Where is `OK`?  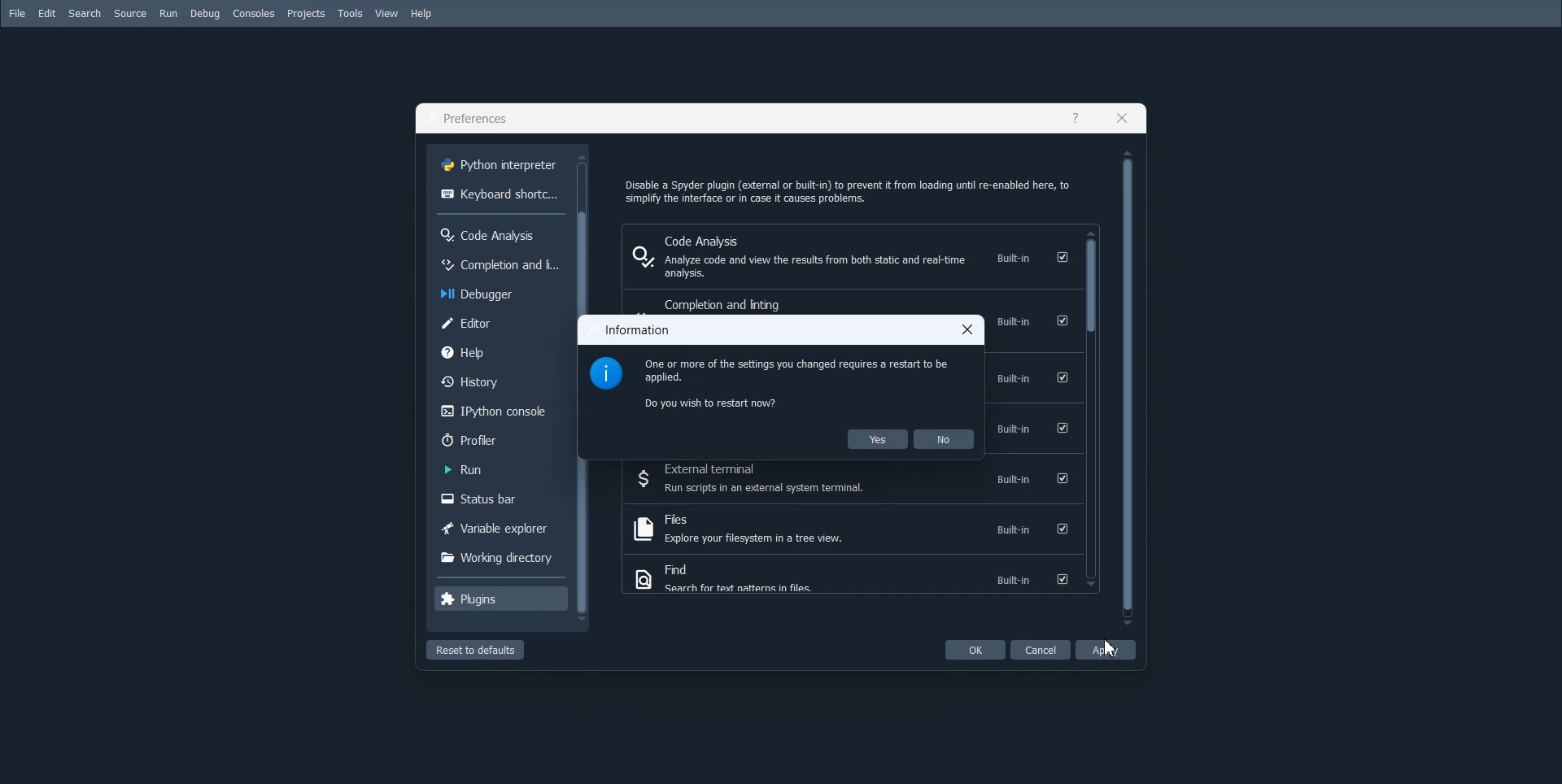
OK is located at coordinates (975, 650).